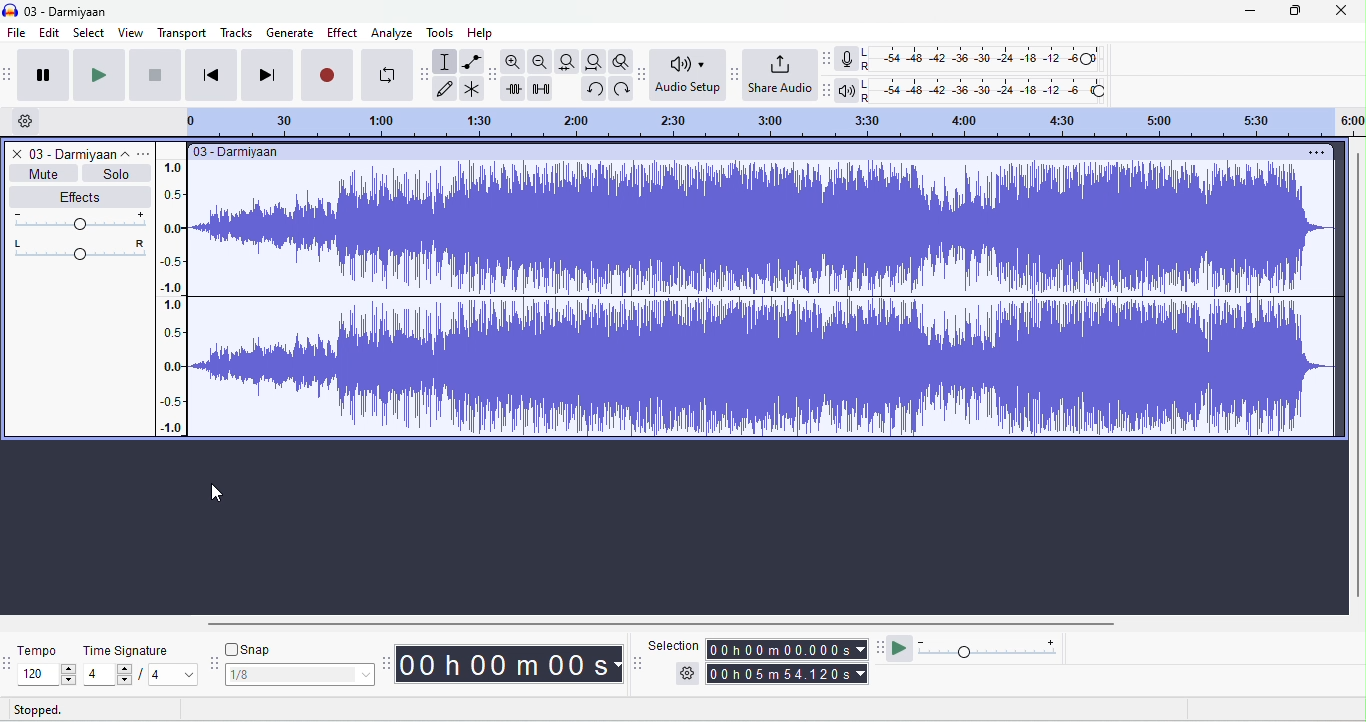 This screenshot has height=722, width=1366. Describe the element at coordinates (139, 674) in the screenshot. I see `select time signature` at that location.